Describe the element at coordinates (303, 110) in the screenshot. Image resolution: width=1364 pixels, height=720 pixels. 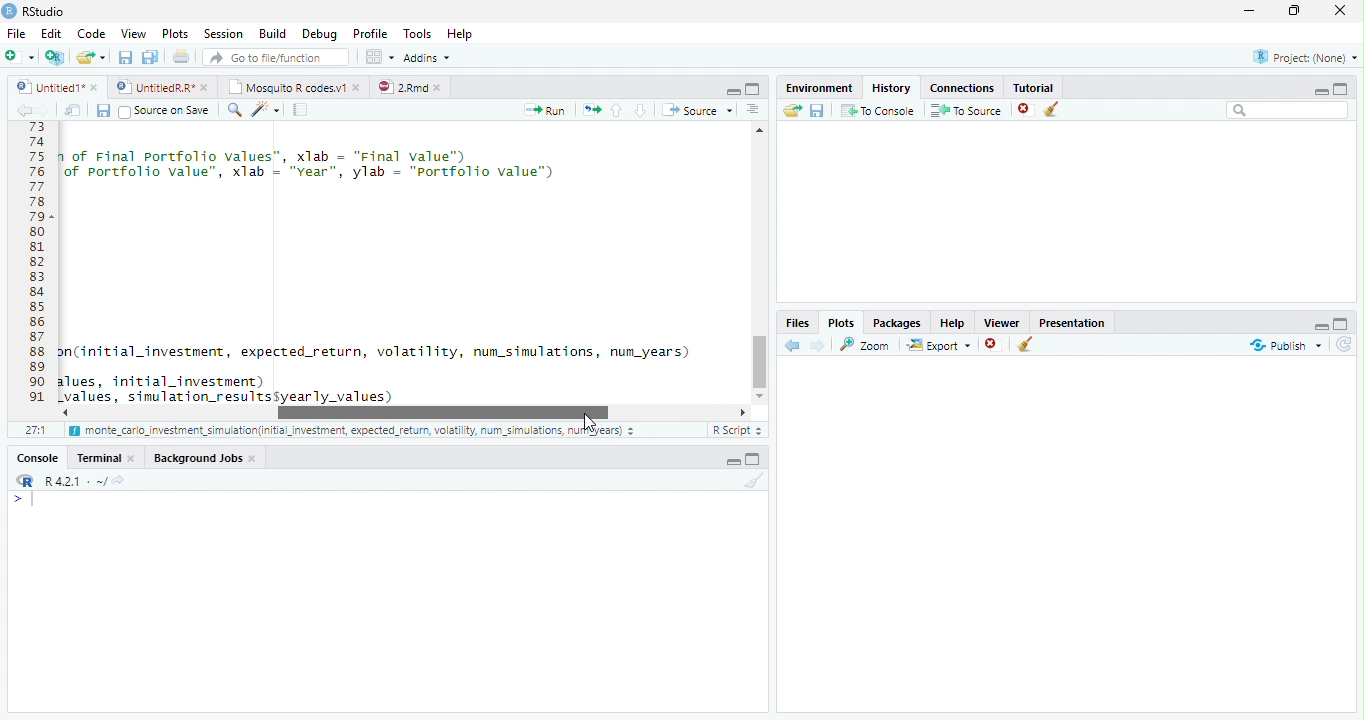
I see `Compile Report` at that location.